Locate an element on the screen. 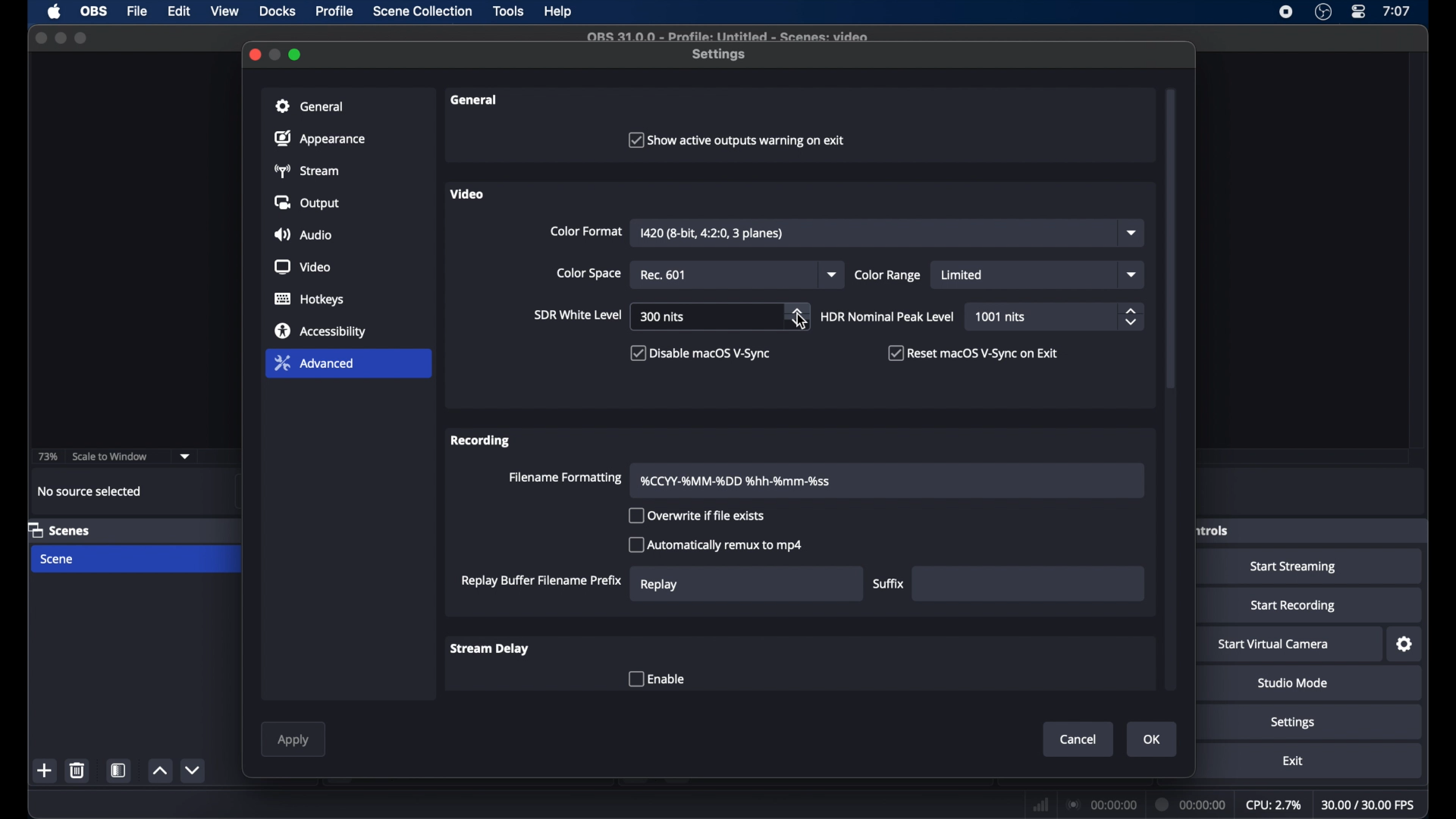 The height and width of the screenshot is (819, 1456). rec 602 is located at coordinates (663, 275).